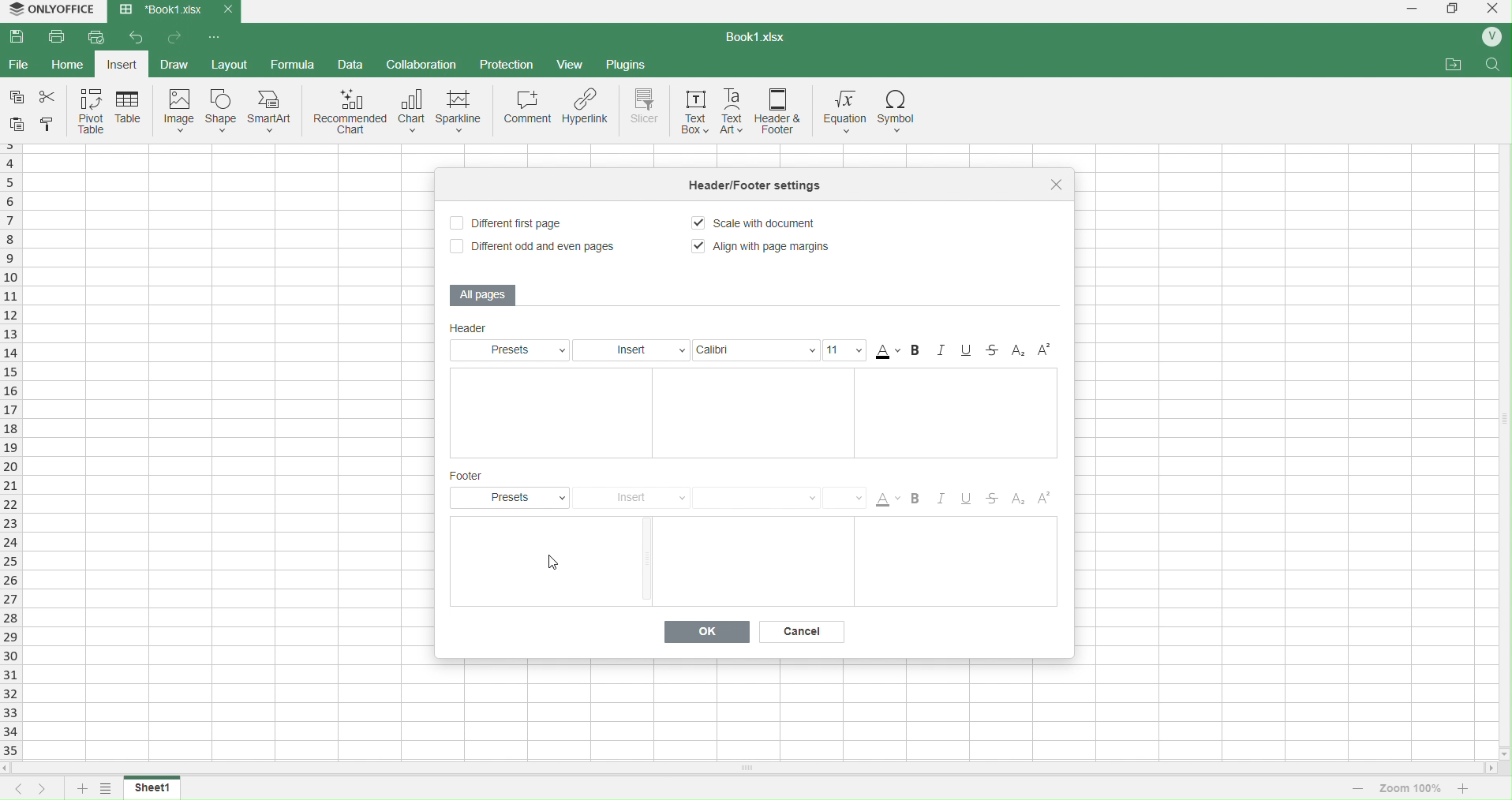  Describe the element at coordinates (19, 126) in the screenshot. I see `paste` at that location.